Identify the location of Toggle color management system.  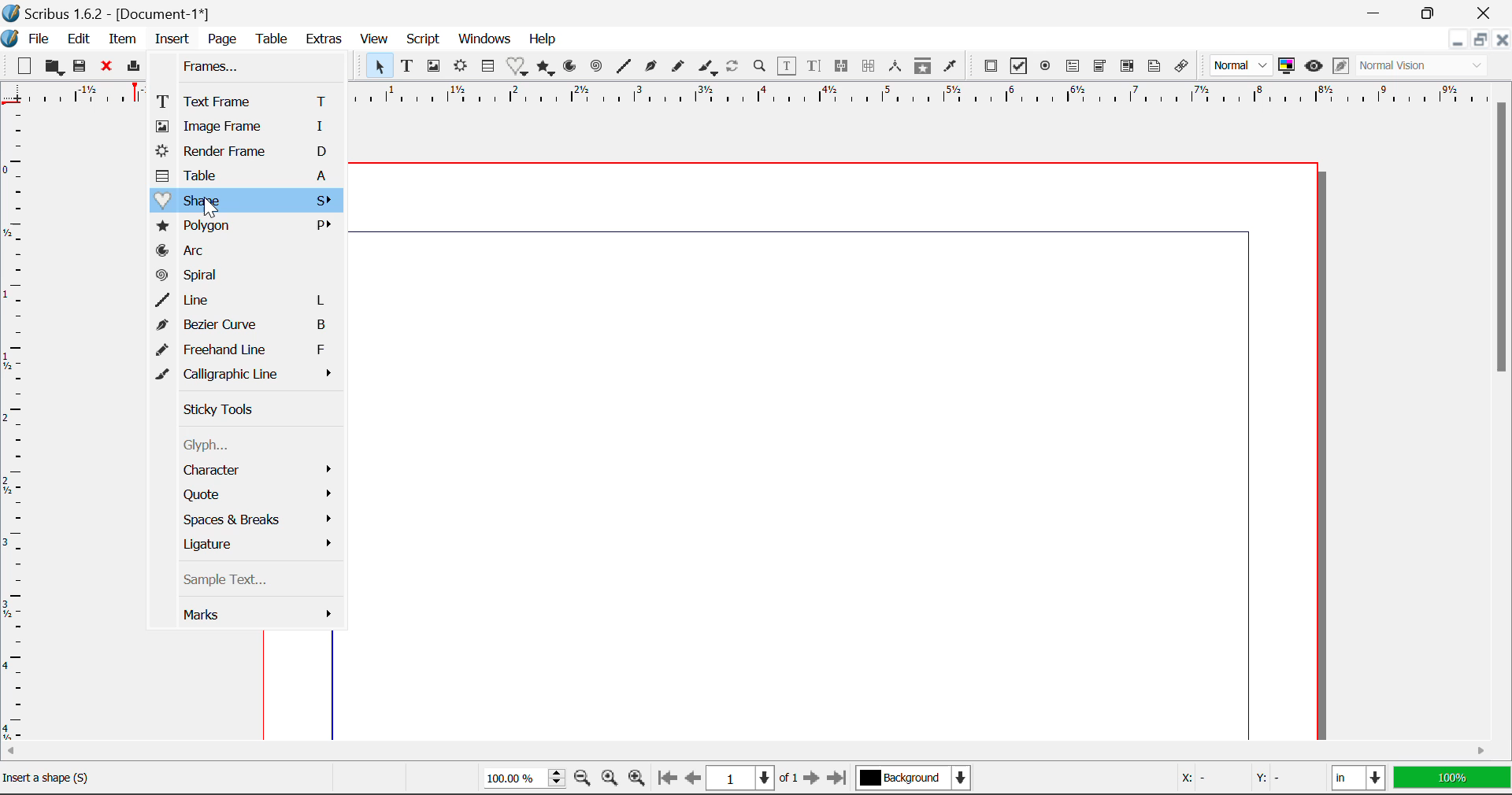
(1287, 67).